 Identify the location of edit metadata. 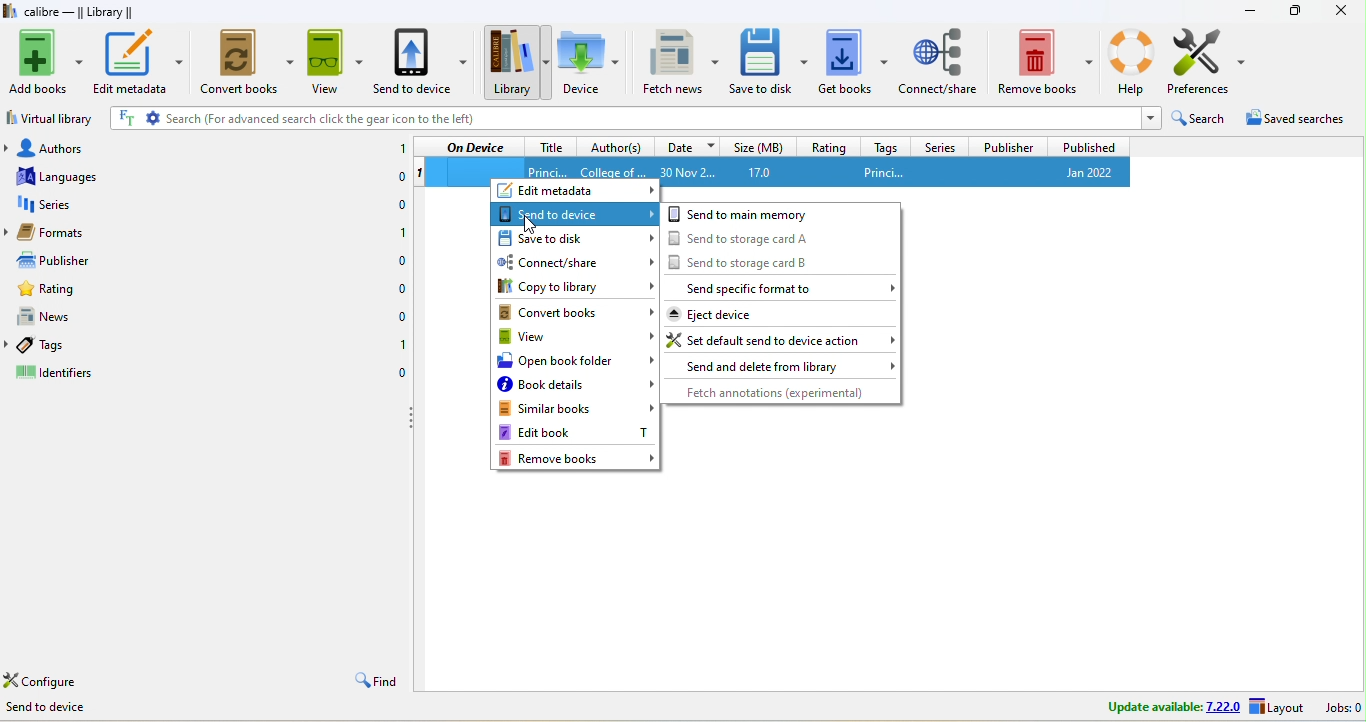
(140, 61).